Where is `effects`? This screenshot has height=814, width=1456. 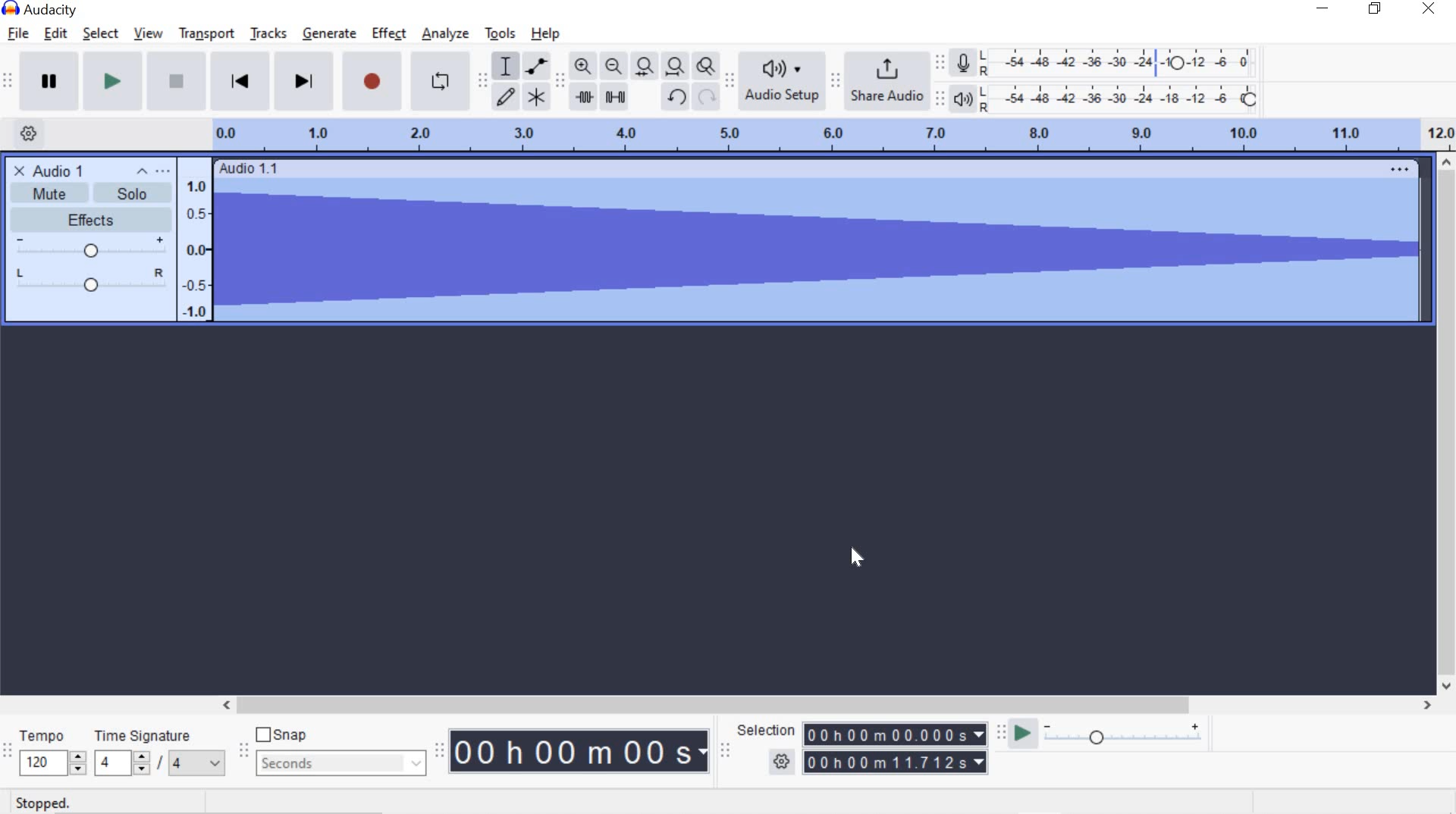
effects is located at coordinates (90, 221).